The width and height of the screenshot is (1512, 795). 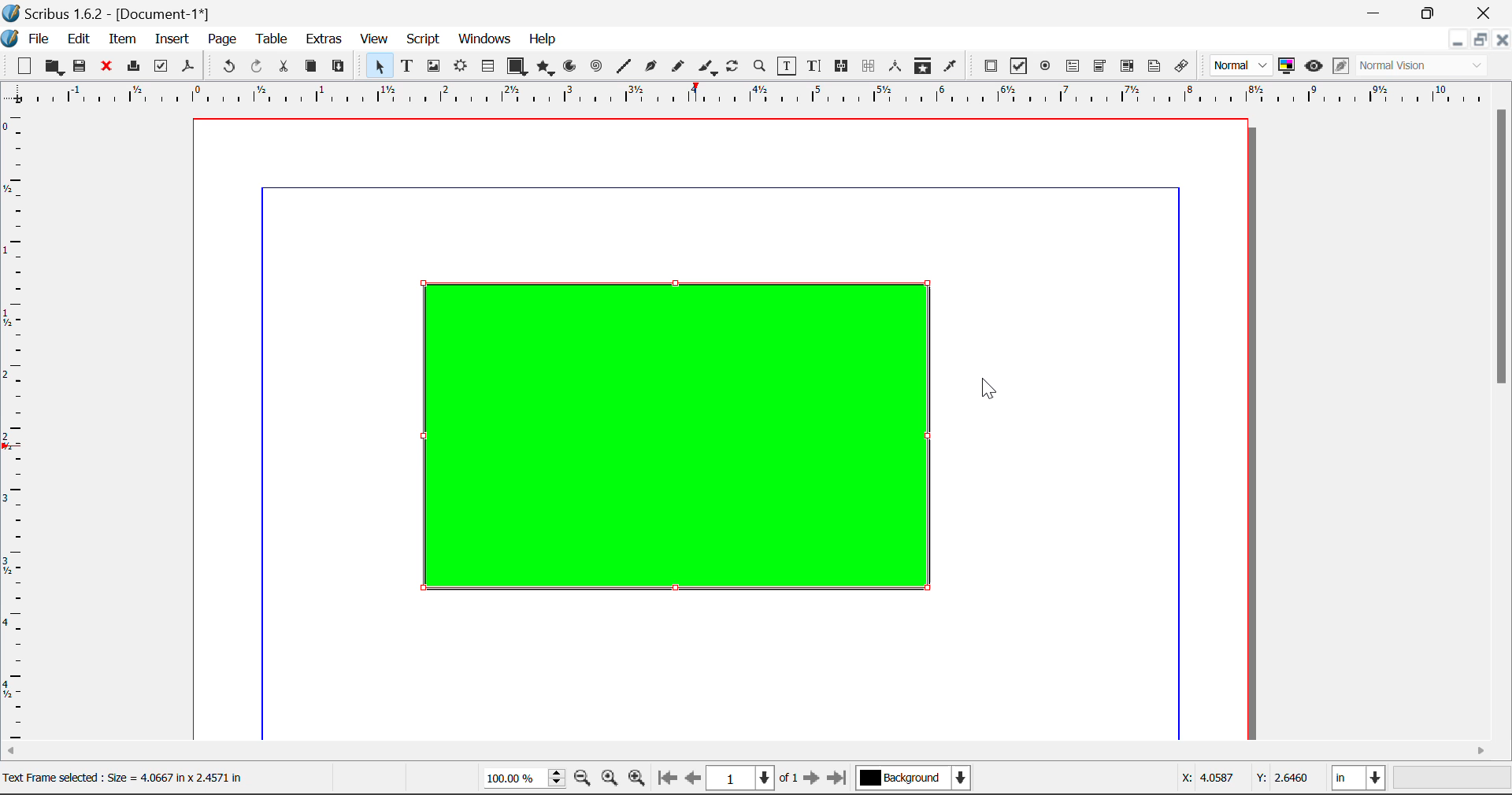 What do you see at coordinates (637, 780) in the screenshot?
I see `Zoom In` at bounding box center [637, 780].